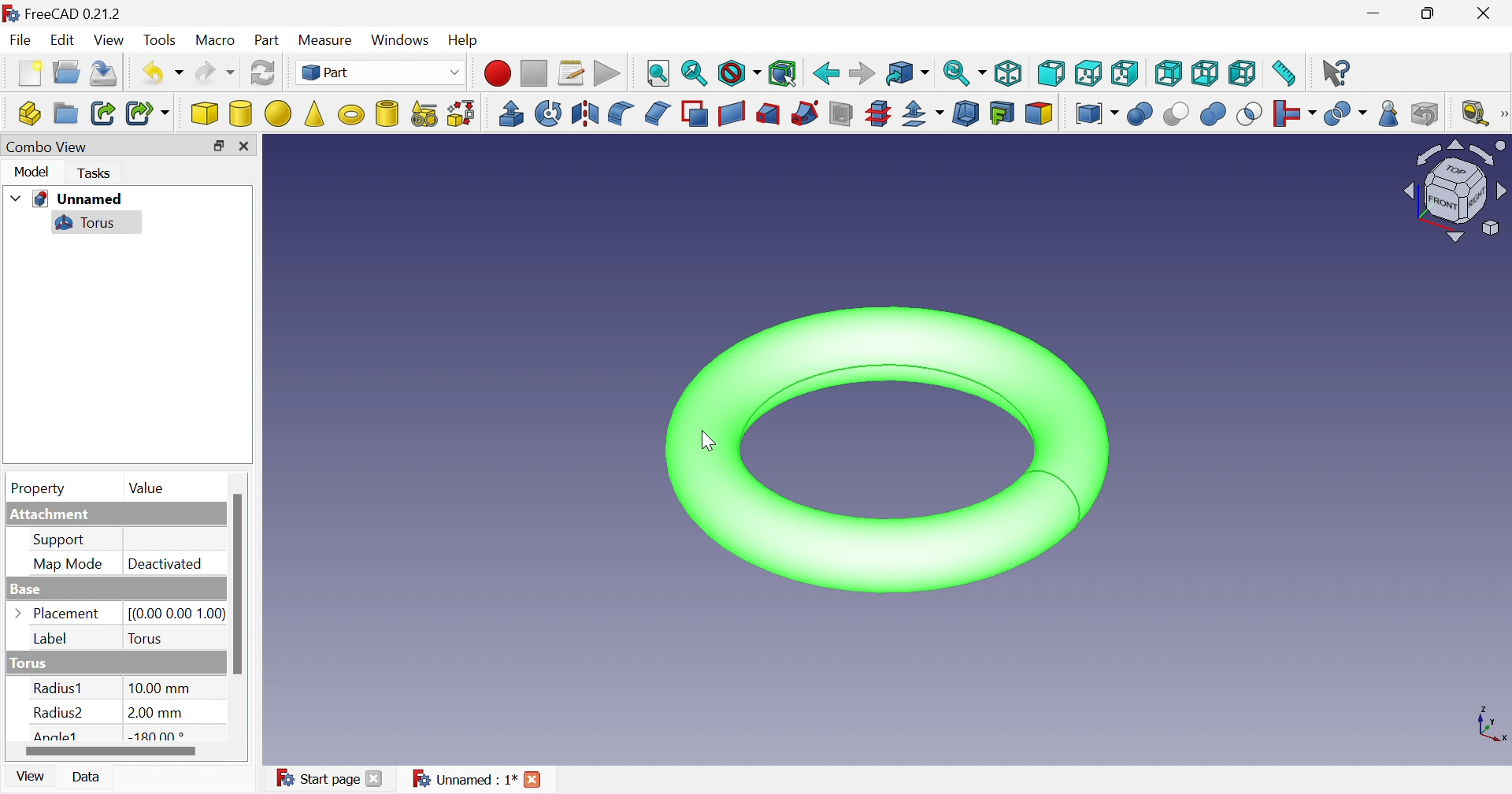  Describe the element at coordinates (621, 113) in the screenshot. I see `Fillet` at that location.